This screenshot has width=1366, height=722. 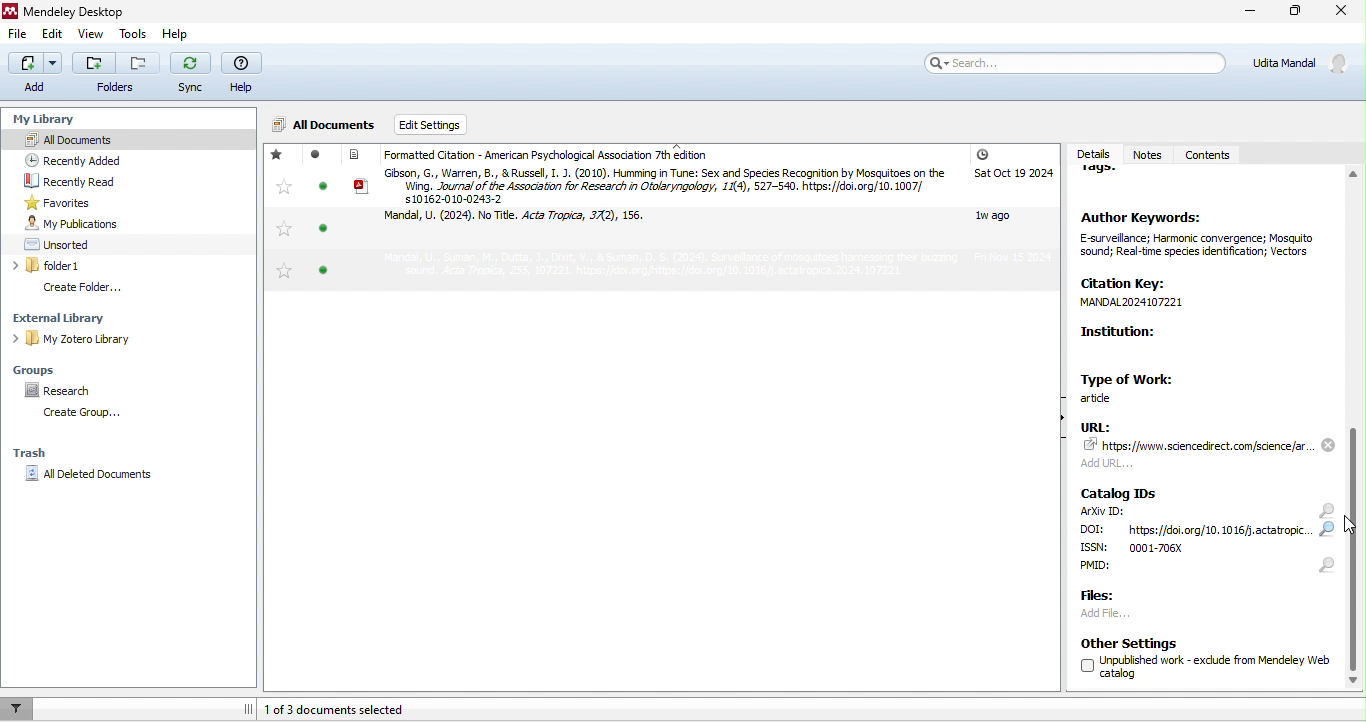 I want to click on search bar, so click(x=1072, y=62).